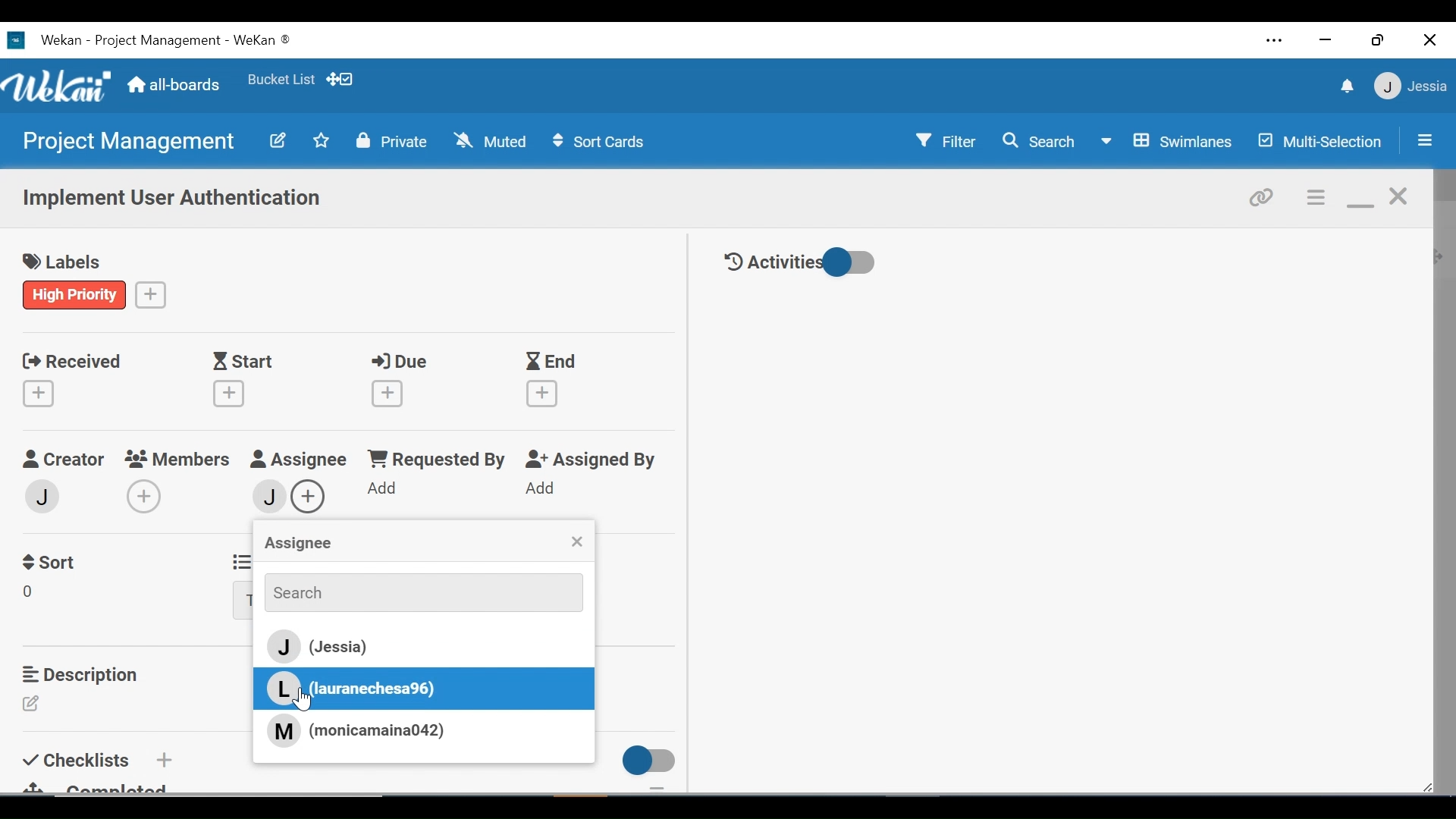 The height and width of the screenshot is (819, 1456). Describe the element at coordinates (1323, 41) in the screenshot. I see `minimize` at that location.